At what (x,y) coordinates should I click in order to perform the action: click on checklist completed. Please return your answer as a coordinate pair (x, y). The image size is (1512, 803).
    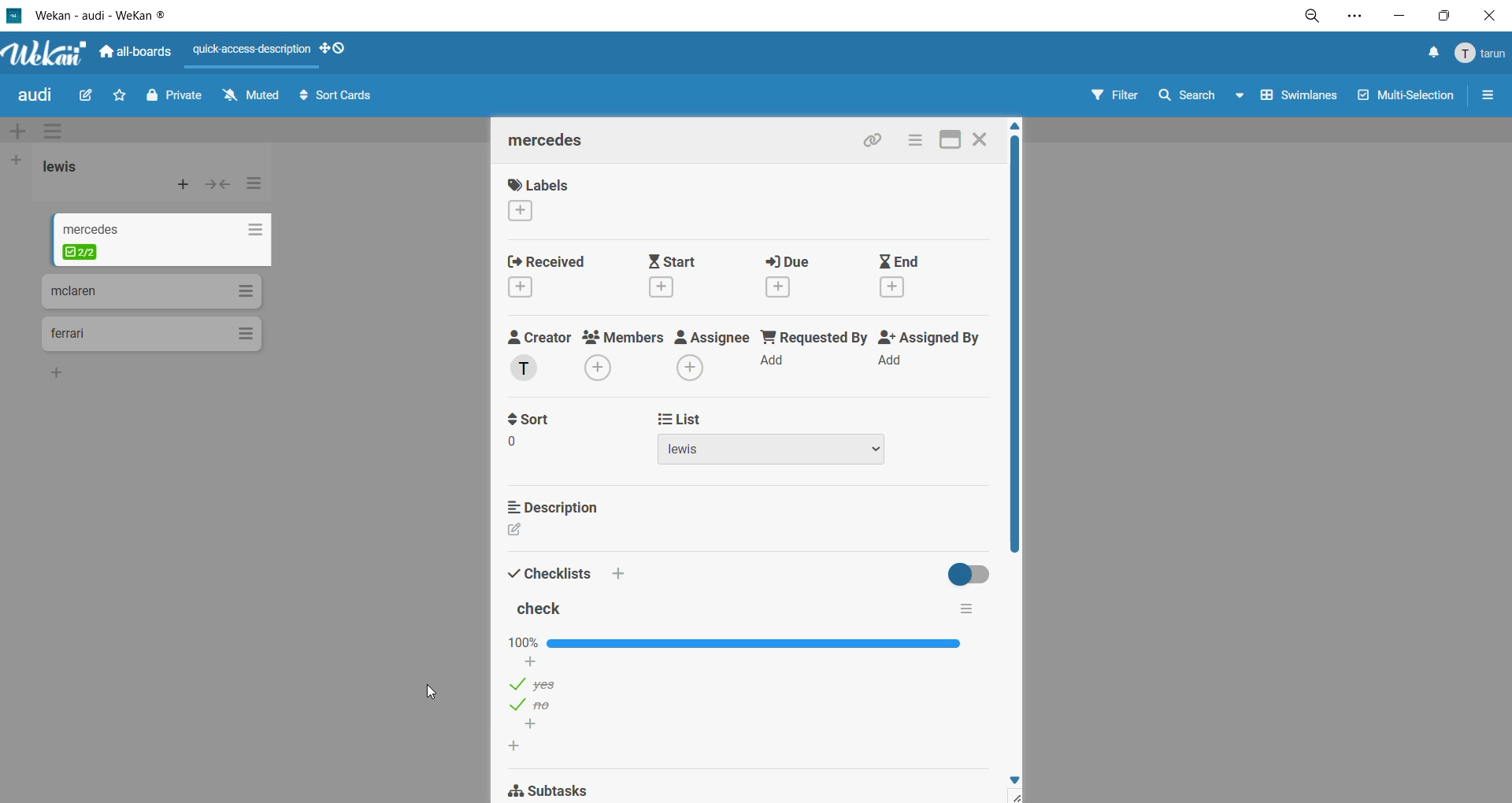
    Looking at the image, I should click on (733, 642).